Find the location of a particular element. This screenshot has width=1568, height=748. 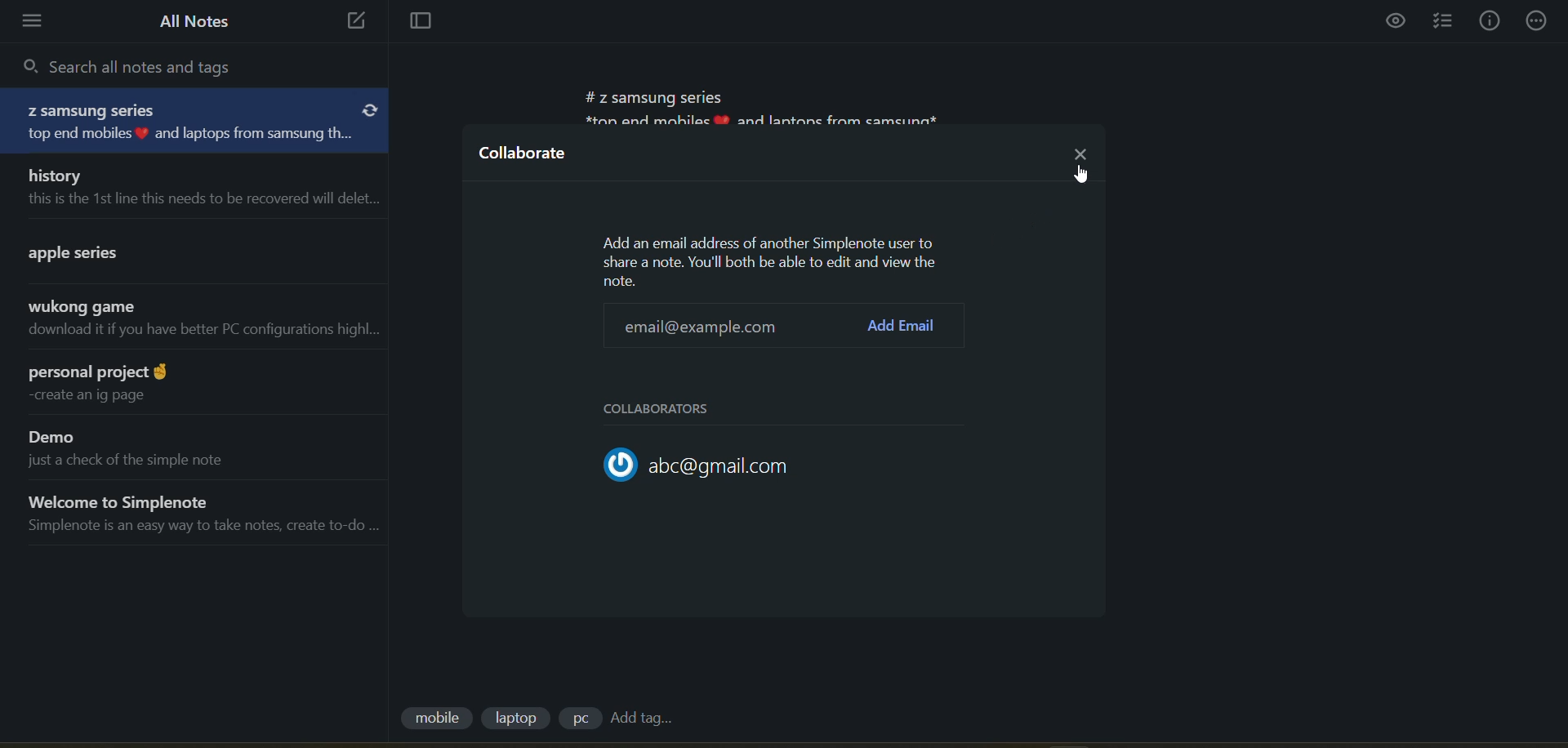

email is located at coordinates (727, 327).